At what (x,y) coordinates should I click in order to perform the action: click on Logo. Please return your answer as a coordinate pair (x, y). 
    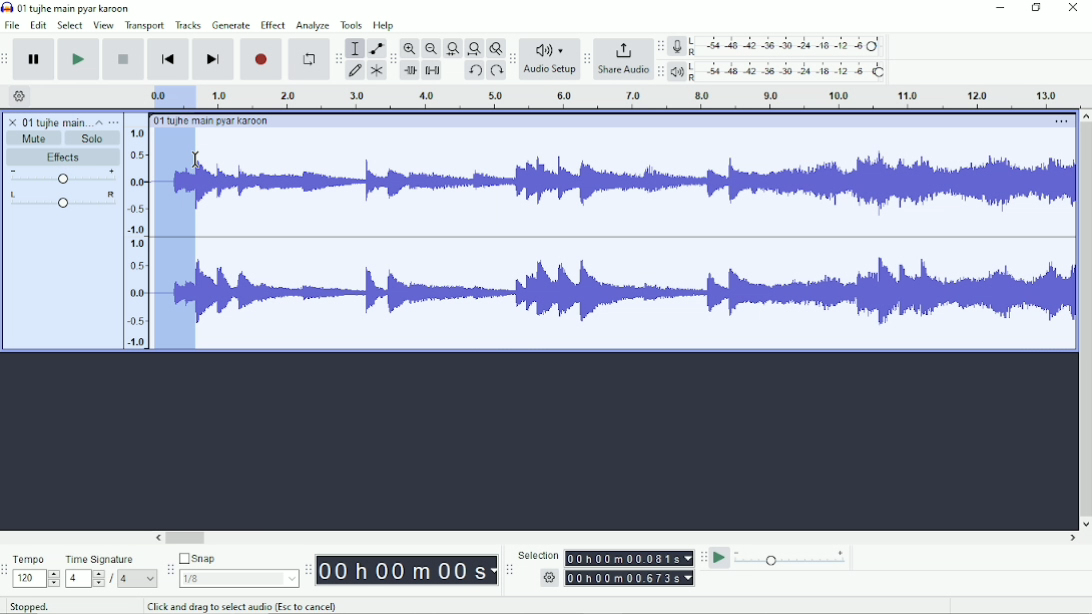
    Looking at the image, I should click on (7, 7).